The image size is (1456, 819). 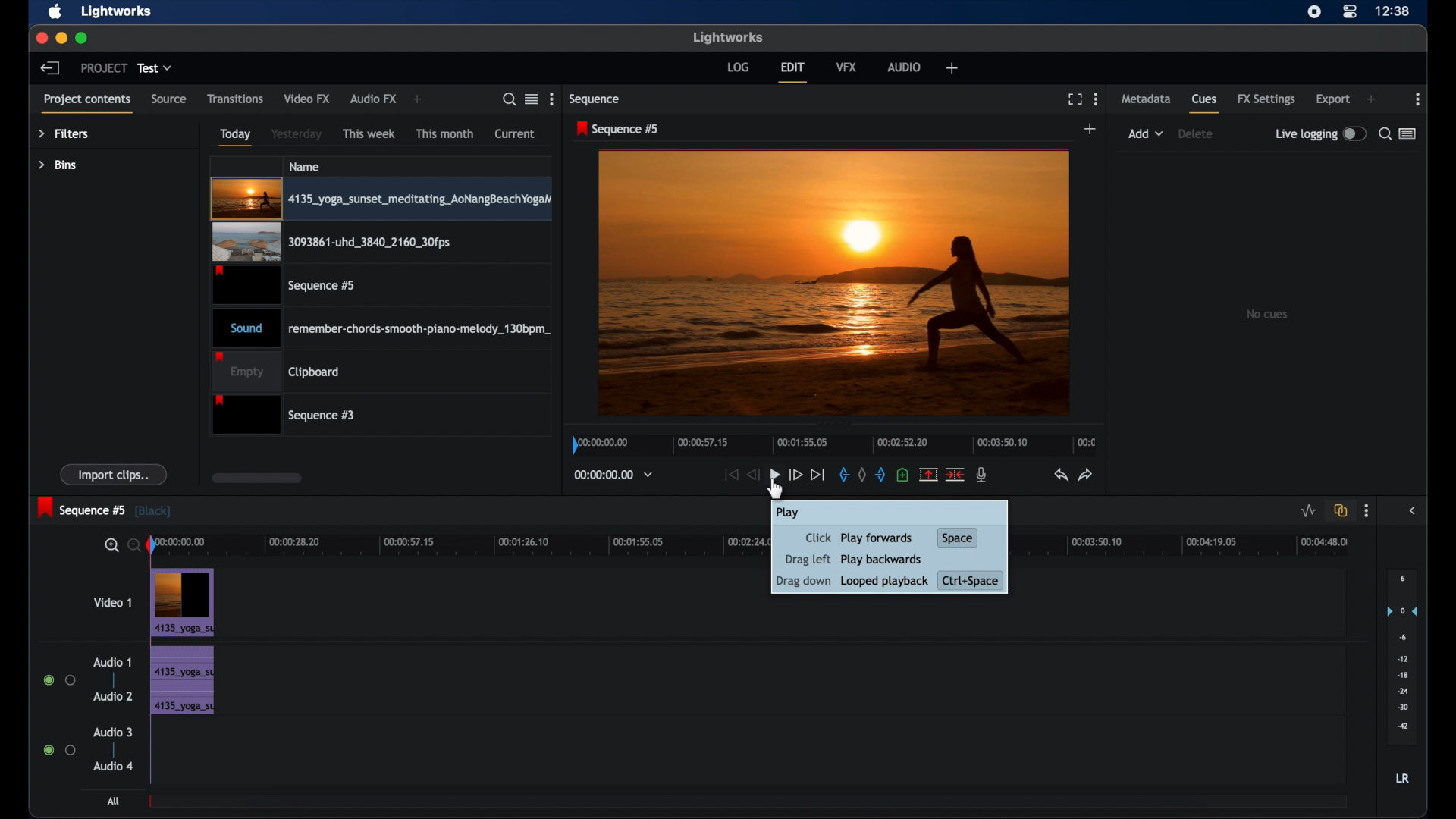 What do you see at coordinates (281, 371) in the screenshot?
I see `clipboard` at bounding box center [281, 371].